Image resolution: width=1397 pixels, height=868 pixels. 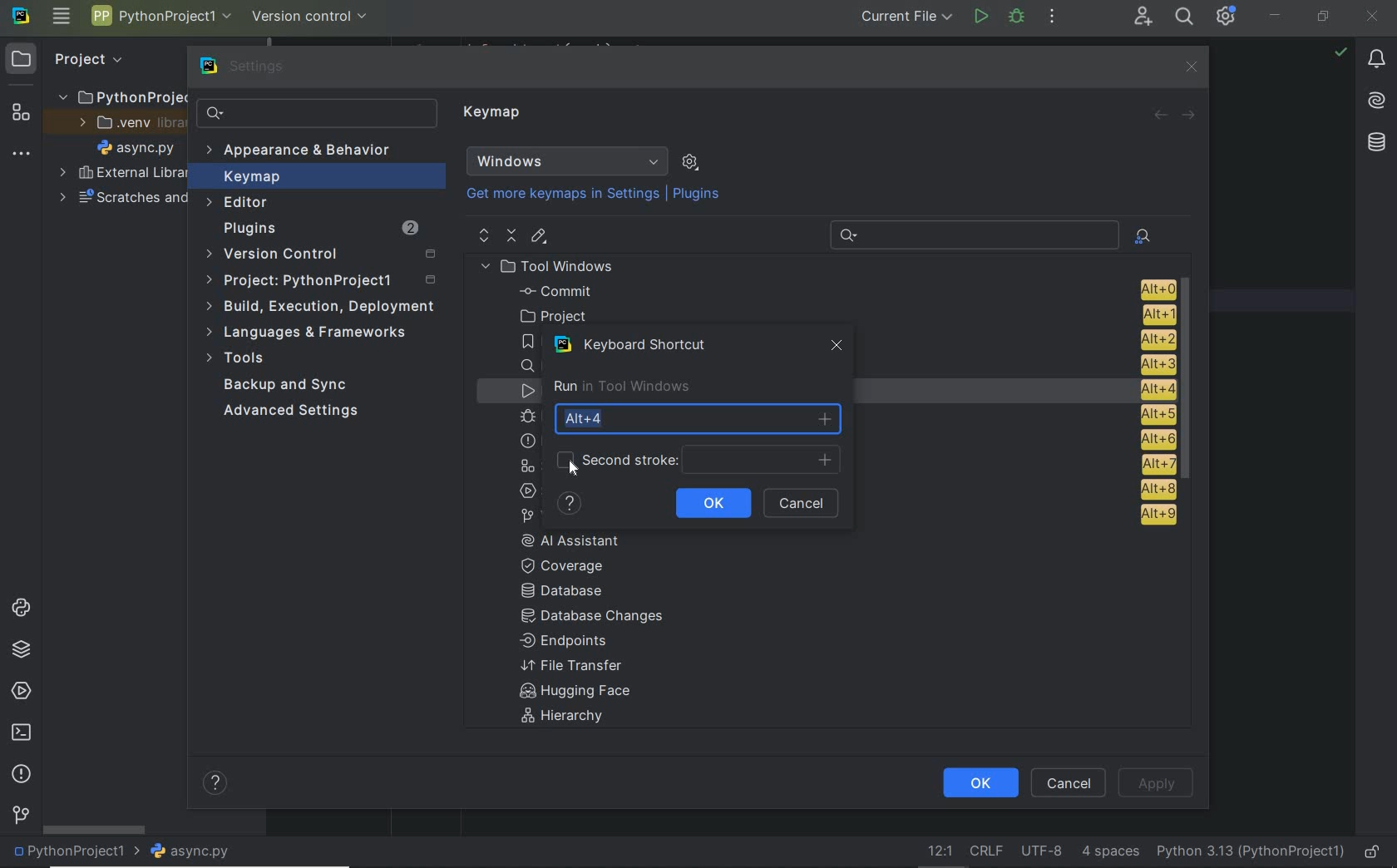 I want to click on Languages & frameworks, so click(x=310, y=334).